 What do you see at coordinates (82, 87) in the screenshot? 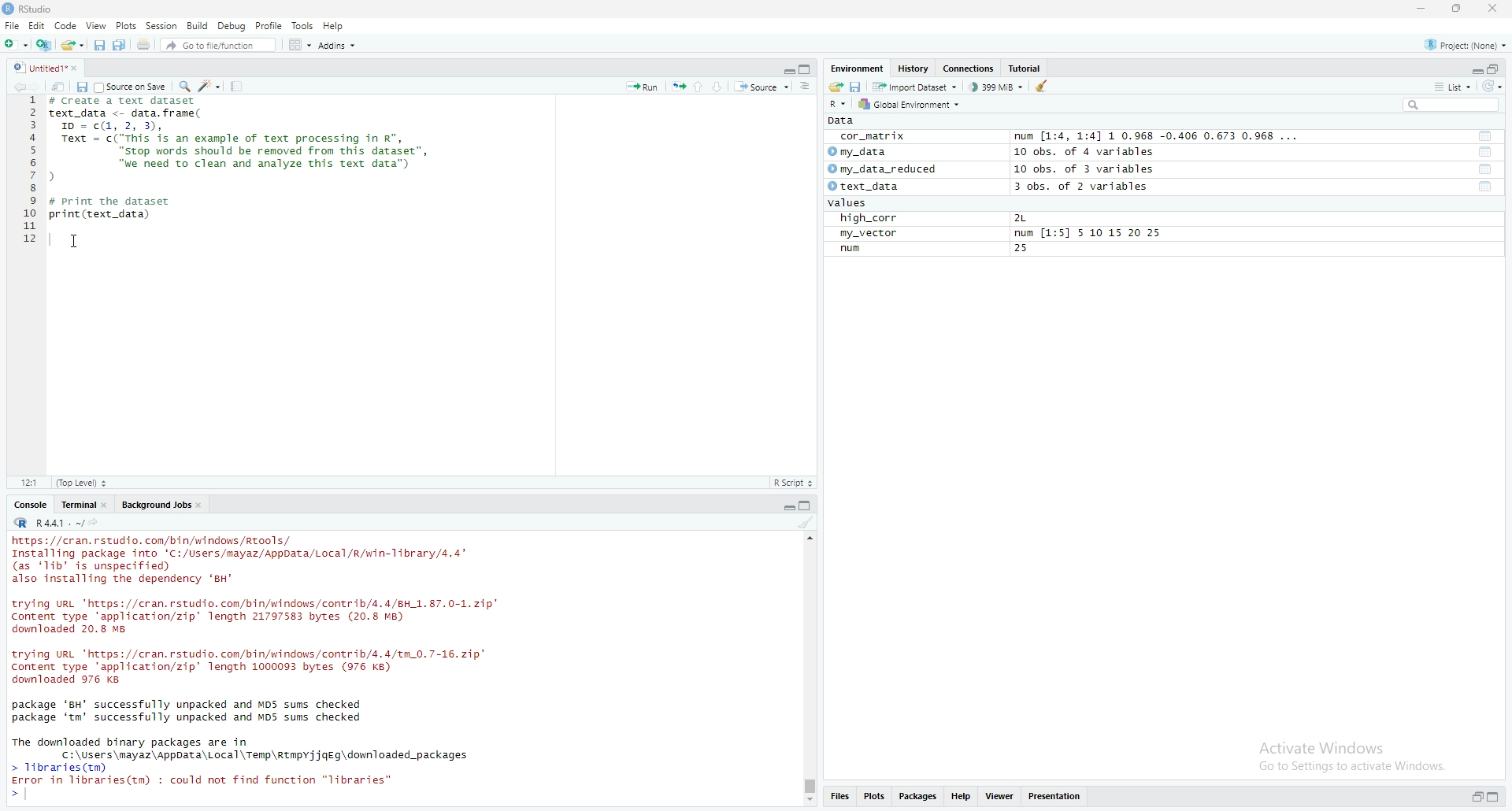
I see `save in current document` at bounding box center [82, 87].